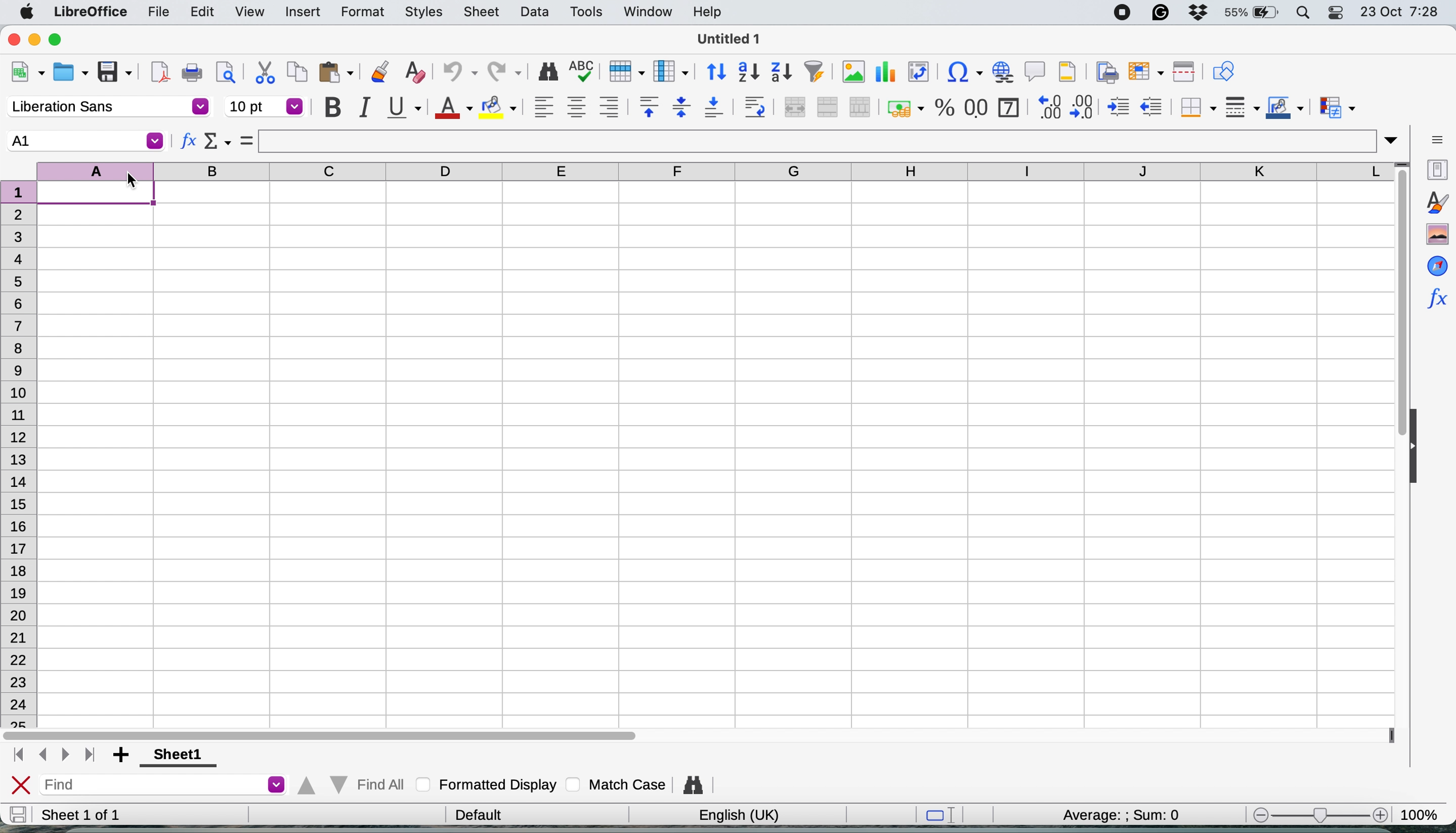 This screenshot has width=1456, height=833. Describe the element at coordinates (455, 109) in the screenshot. I see `text colour` at that location.